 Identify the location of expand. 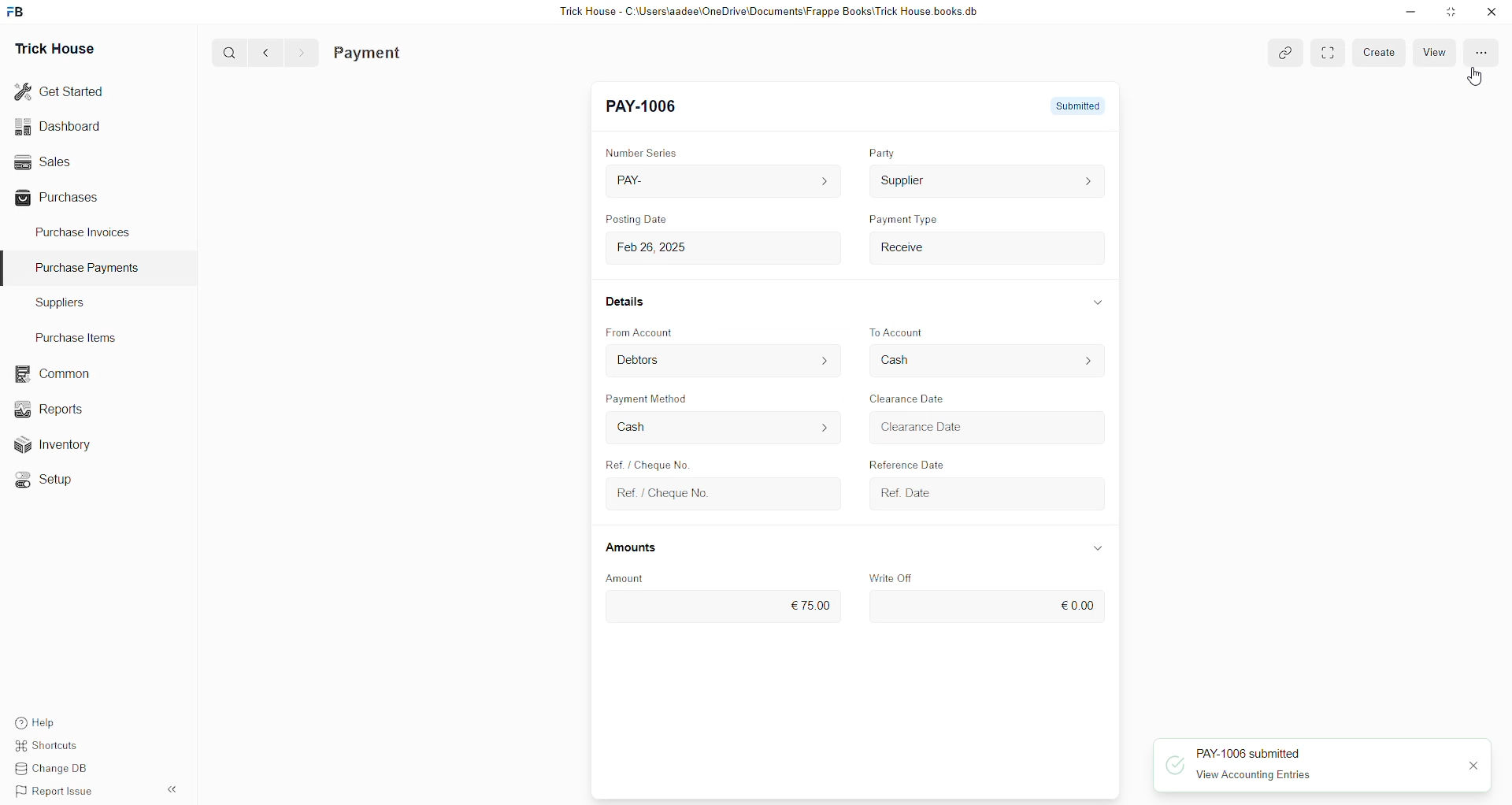
(175, 789).